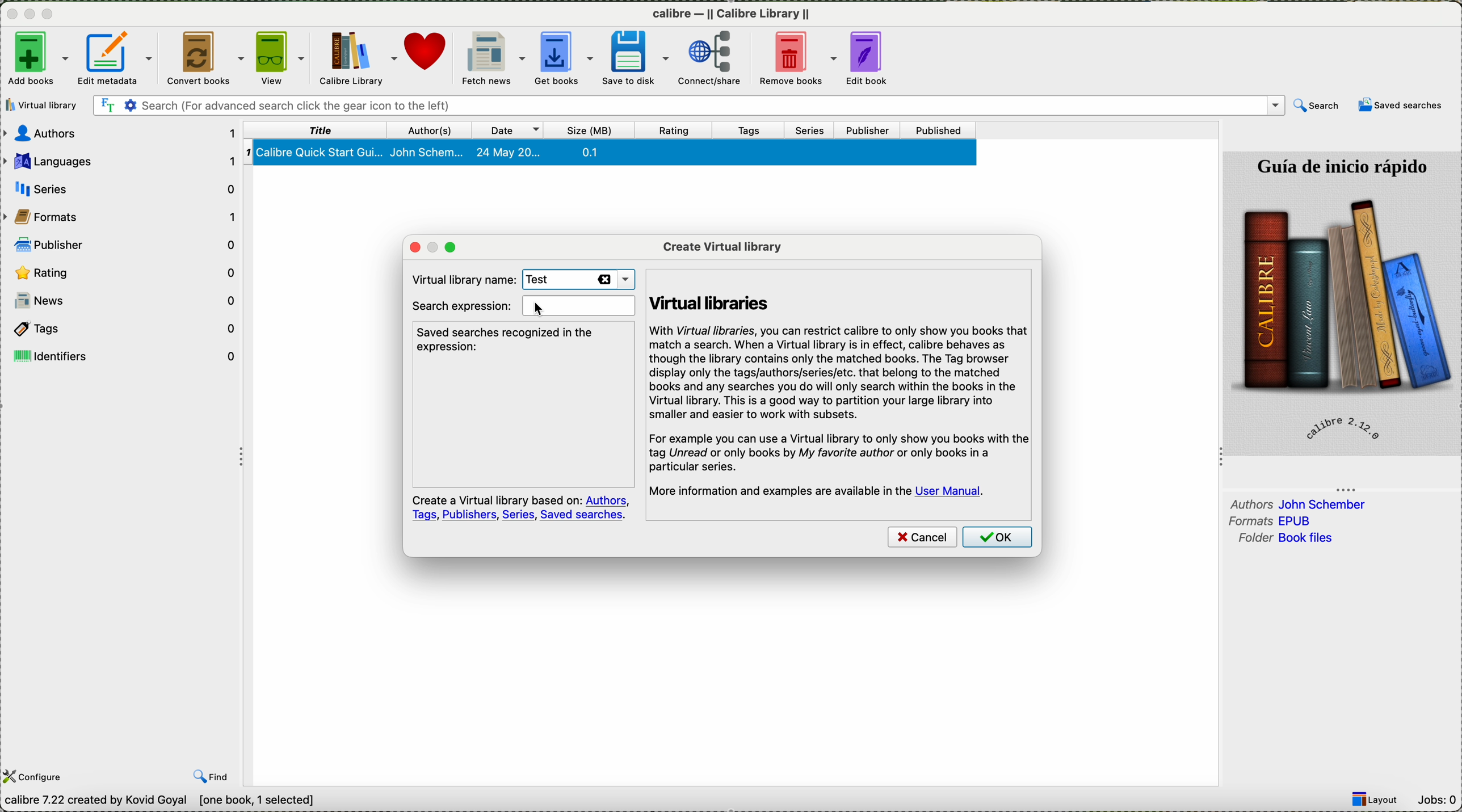  What do you see at coordinates (578, 280) in the screenshot?
I see `test name` at bounding box center [578, 280].